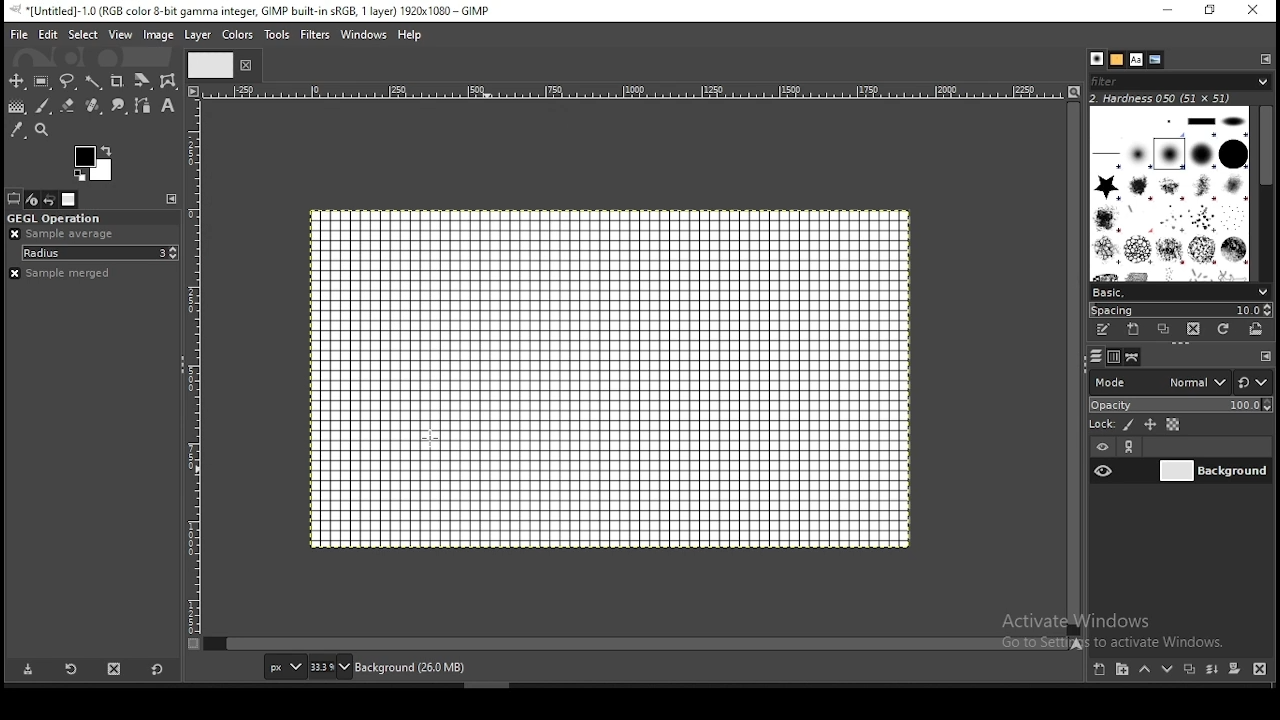 This screenshot has width=1280, height=720. What do you see at coordinates (1128, 425) in the screenshot?
I see `lock pixels` at bounding box center [1128, 425].